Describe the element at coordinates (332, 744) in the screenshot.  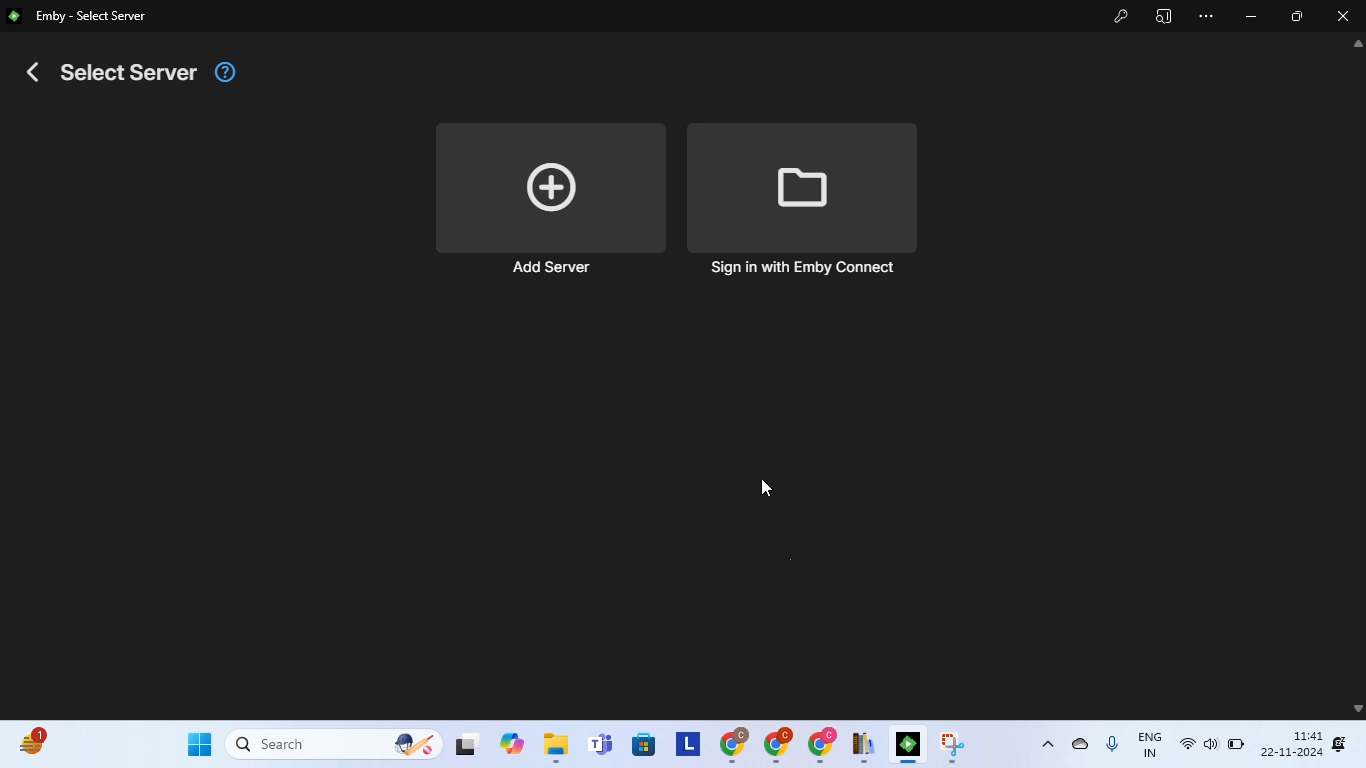
I see `search` at that location.